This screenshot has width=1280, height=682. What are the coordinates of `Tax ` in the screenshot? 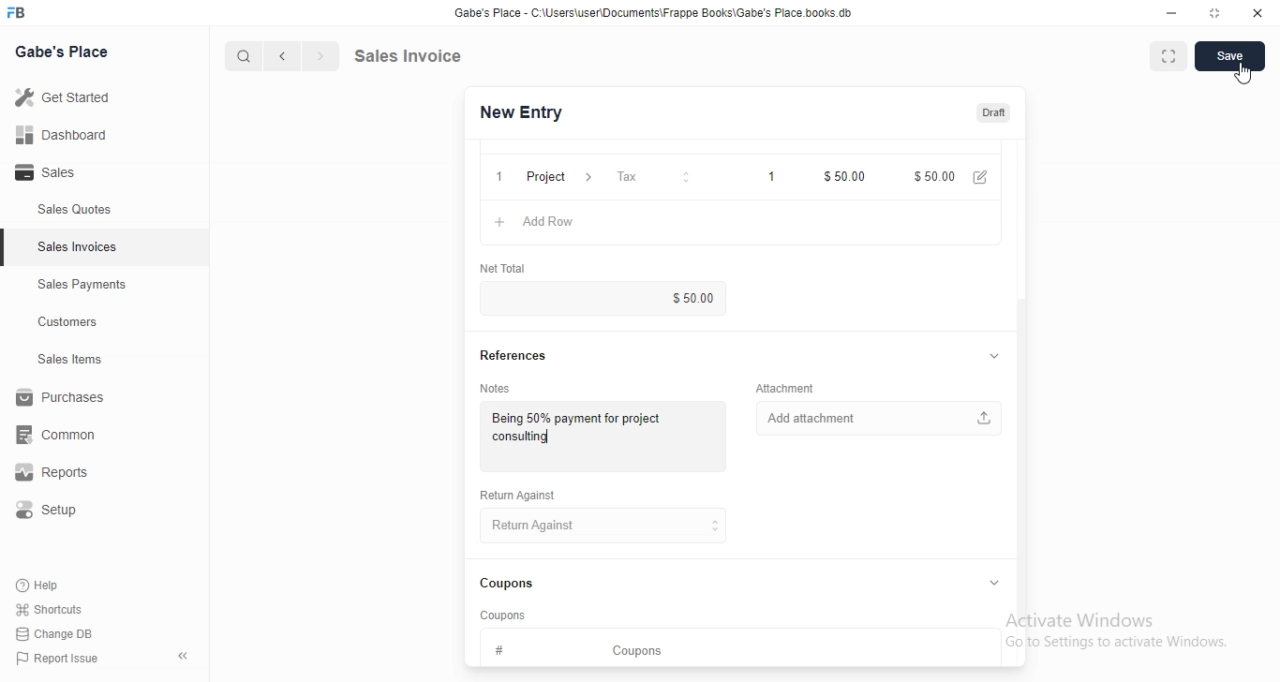 It's located at (646, 176).